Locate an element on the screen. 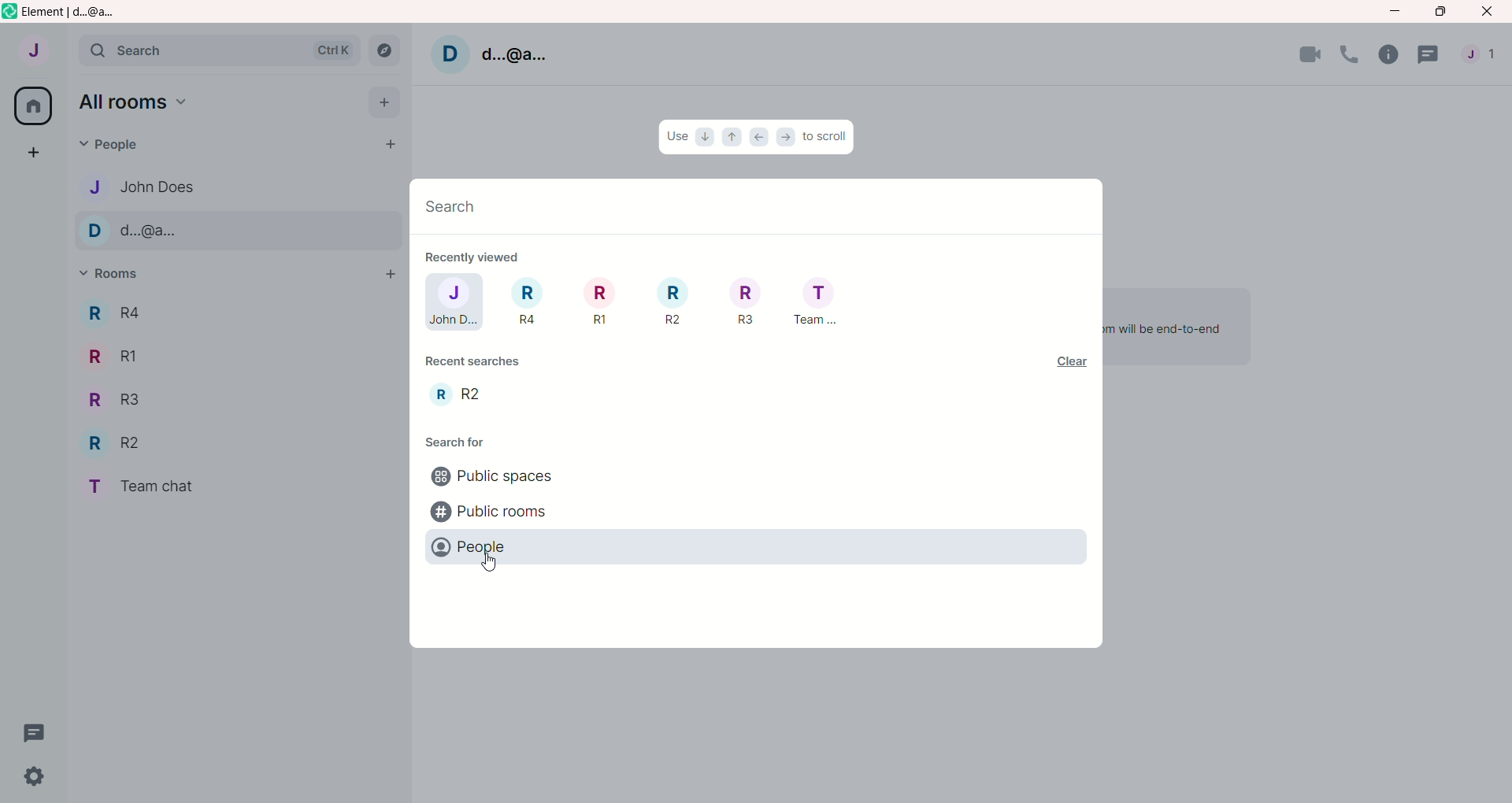  add is located at coordinates (386, 276).